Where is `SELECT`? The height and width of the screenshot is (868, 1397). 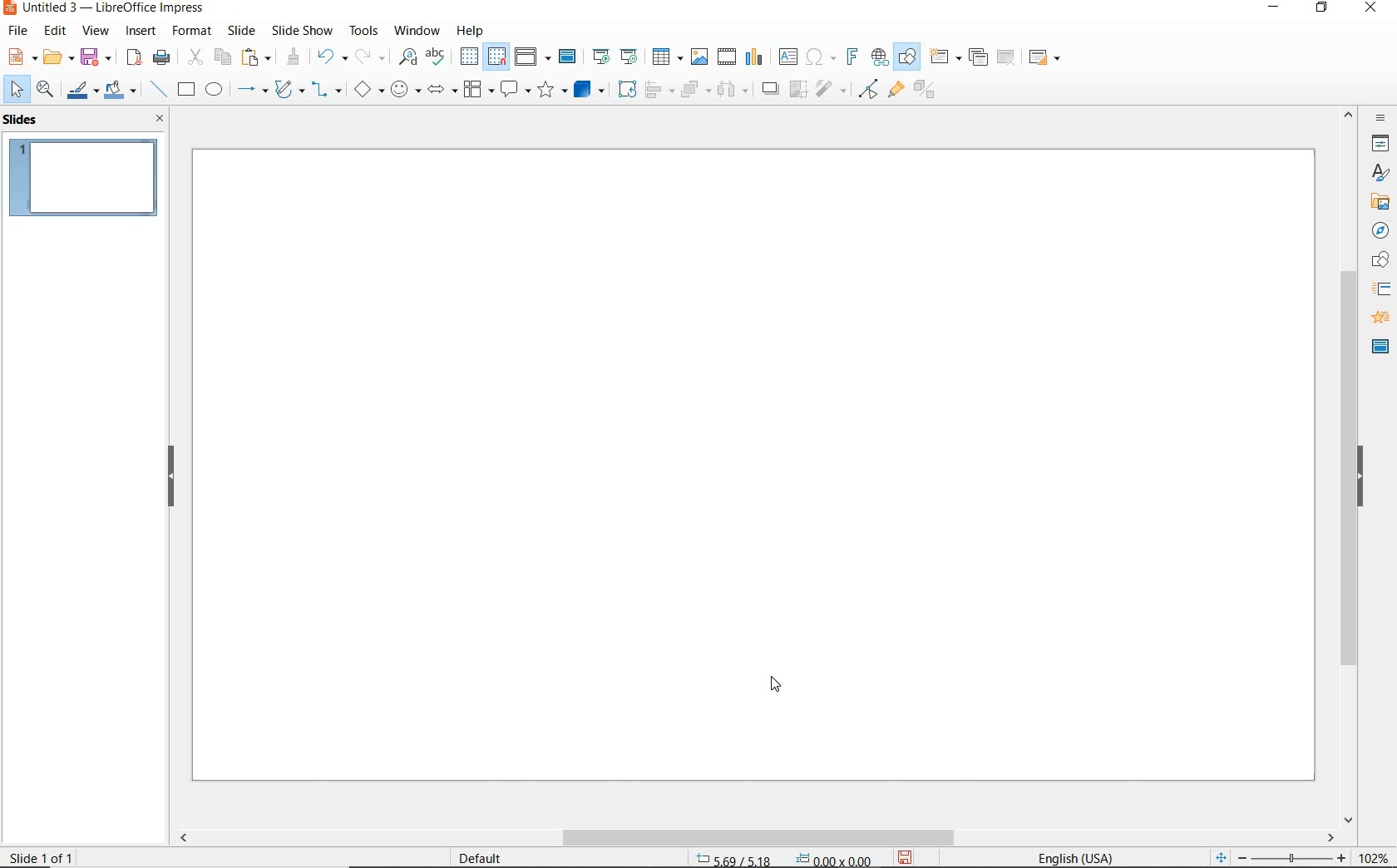
SELECT is located at coordinates (13, 88).